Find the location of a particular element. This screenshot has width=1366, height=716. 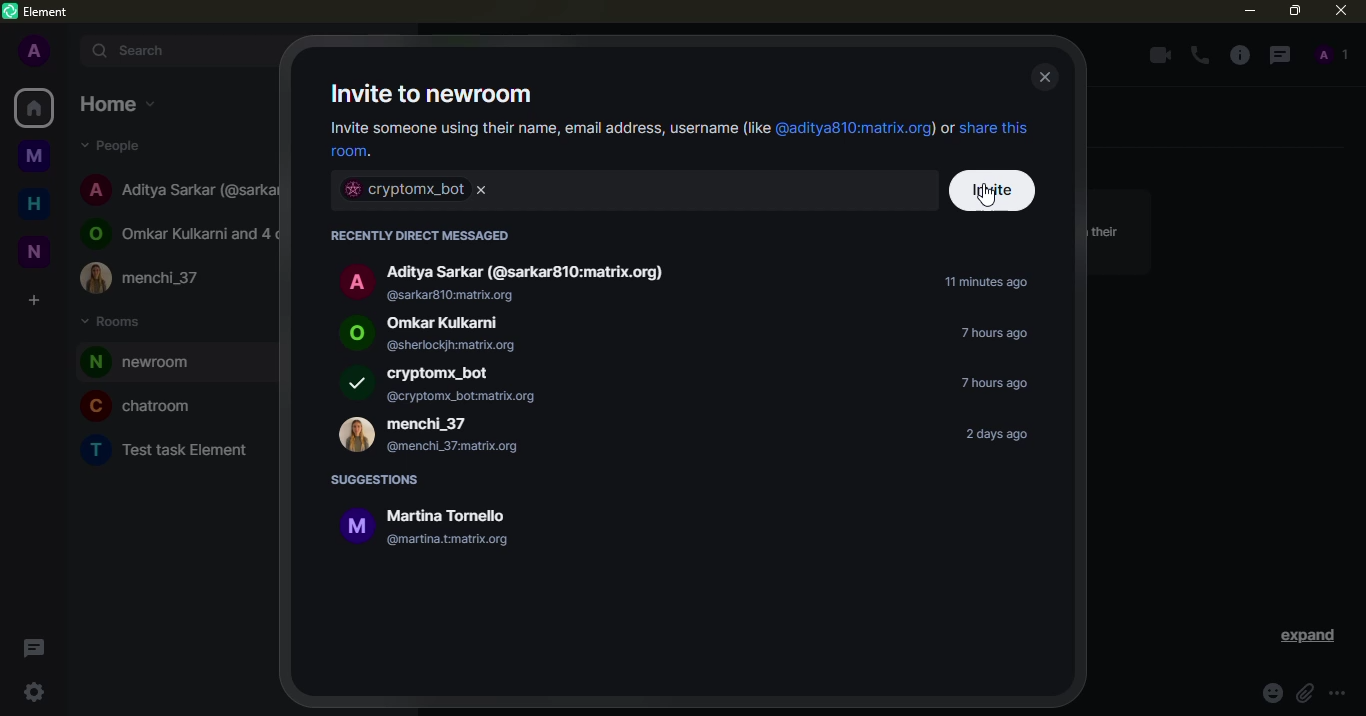

minimize is located at coordinates (1246, 12).